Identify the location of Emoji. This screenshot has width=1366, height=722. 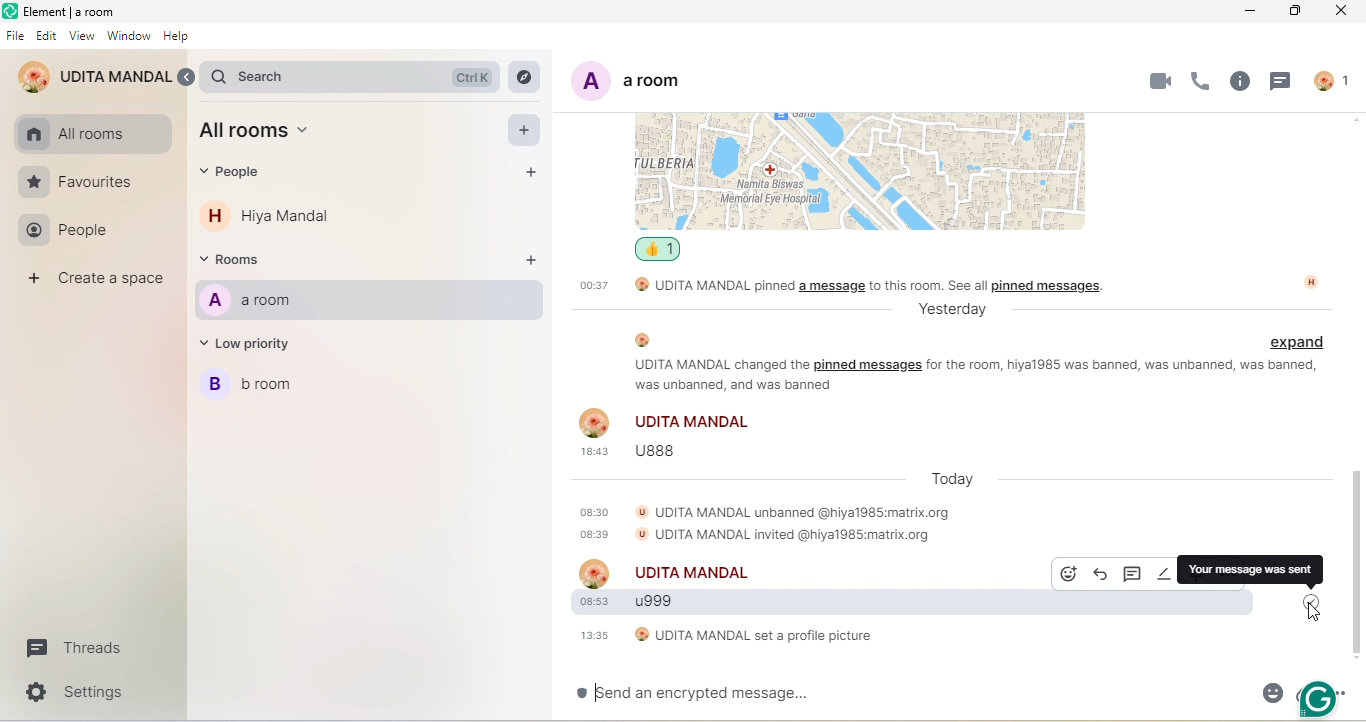
(1071, 574).